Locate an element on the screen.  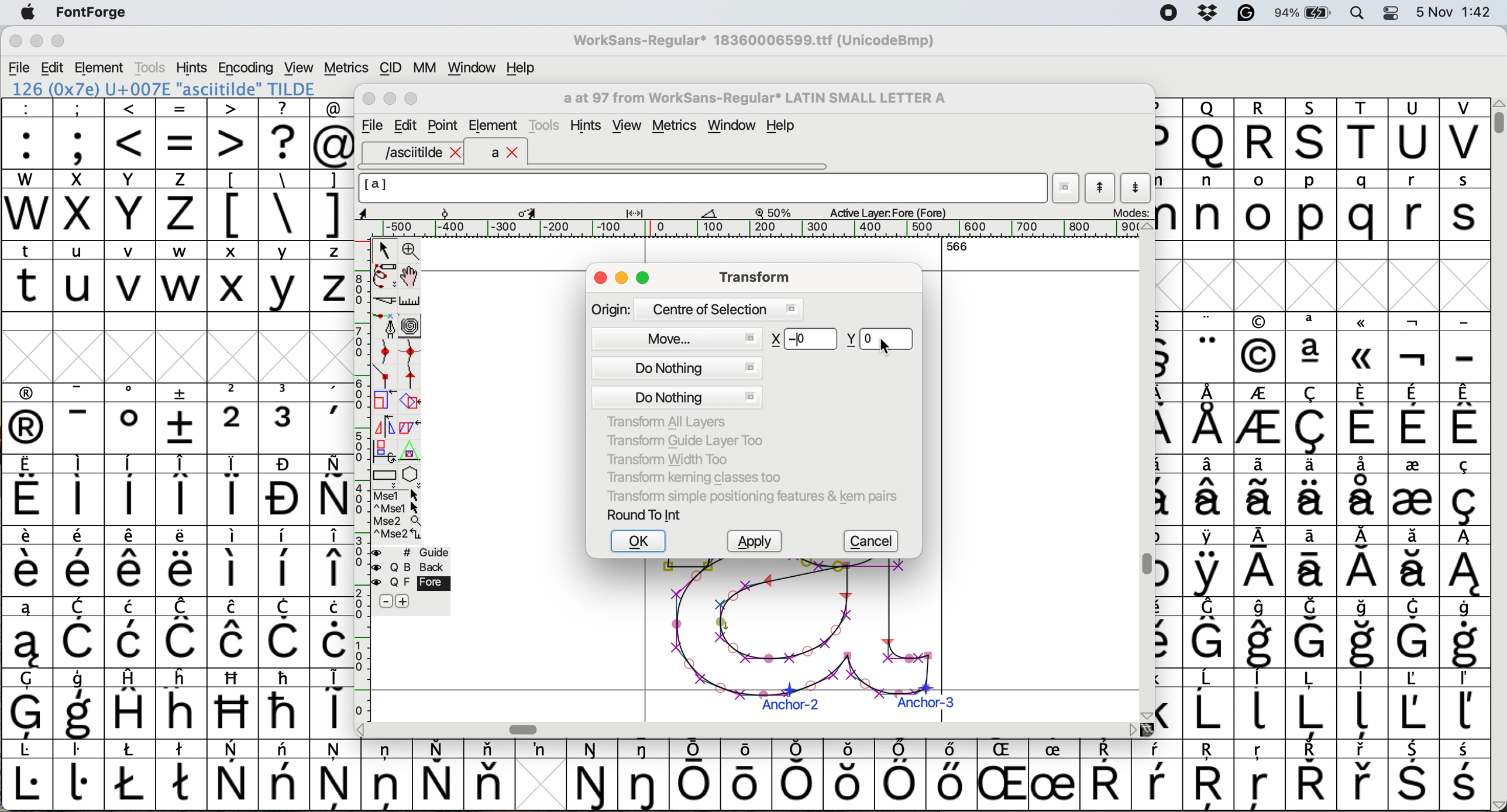
Horizontal scroll bar is located at coordinates (527, 729).